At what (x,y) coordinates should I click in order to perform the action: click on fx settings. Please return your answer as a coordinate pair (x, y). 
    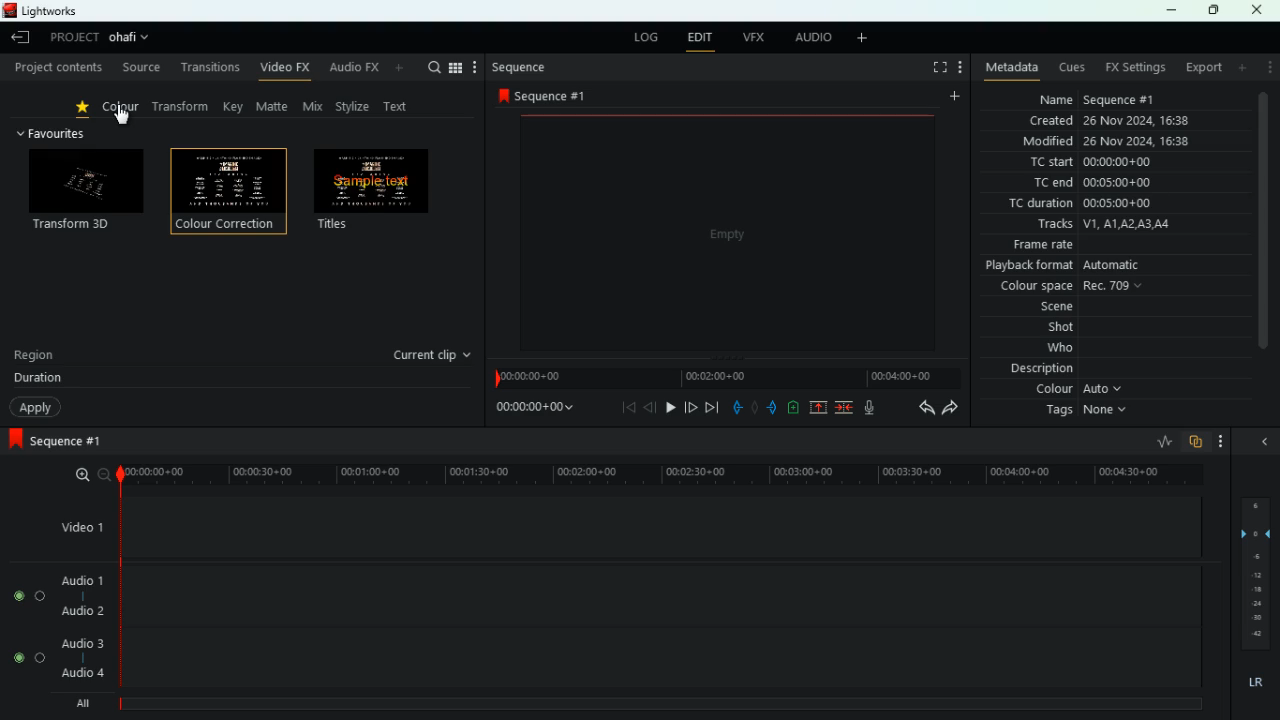
    Looking at the image, I should click on (1137, 67).